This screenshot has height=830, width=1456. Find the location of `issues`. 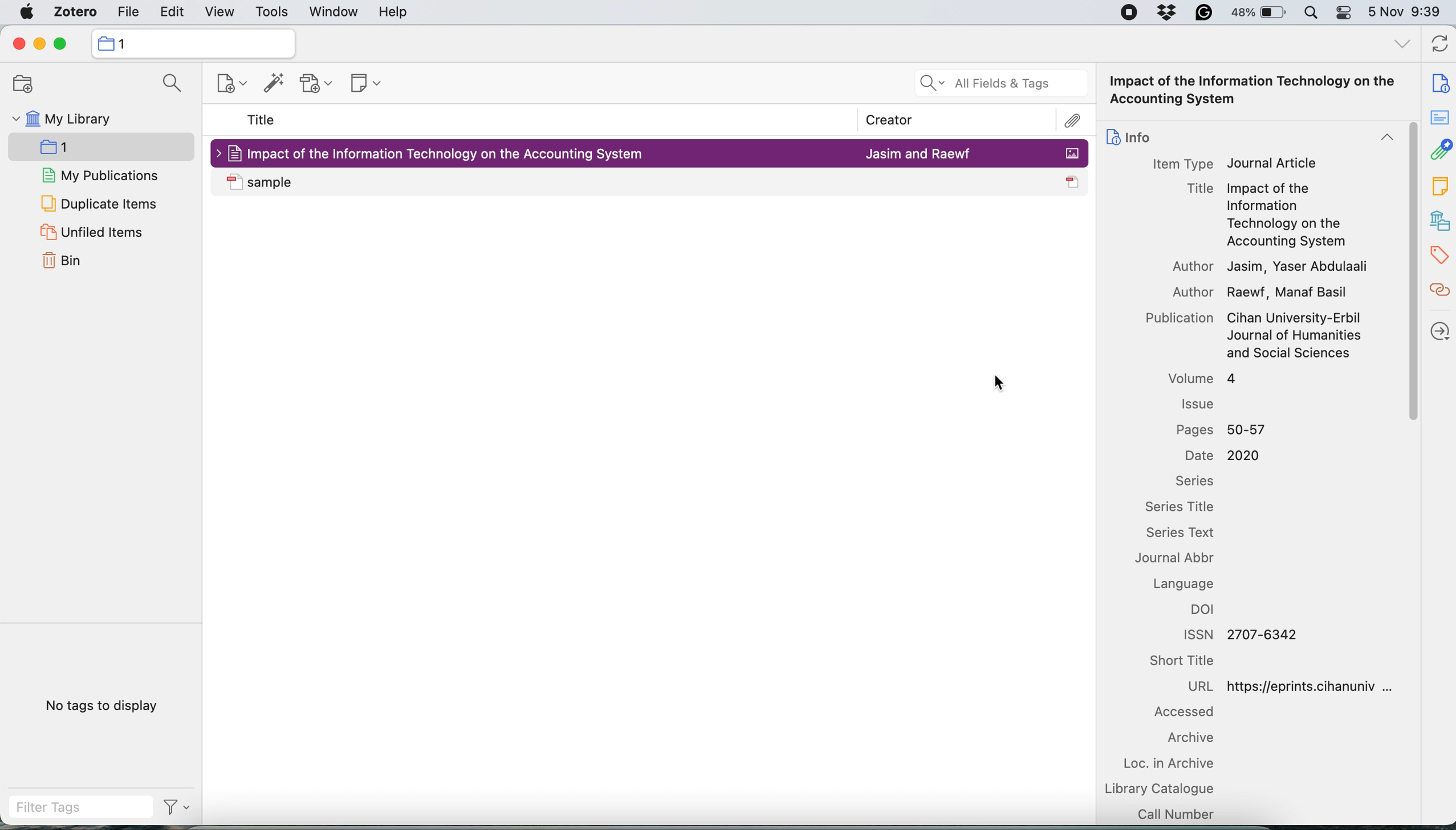

issues is located at coordinates (1197, 402).